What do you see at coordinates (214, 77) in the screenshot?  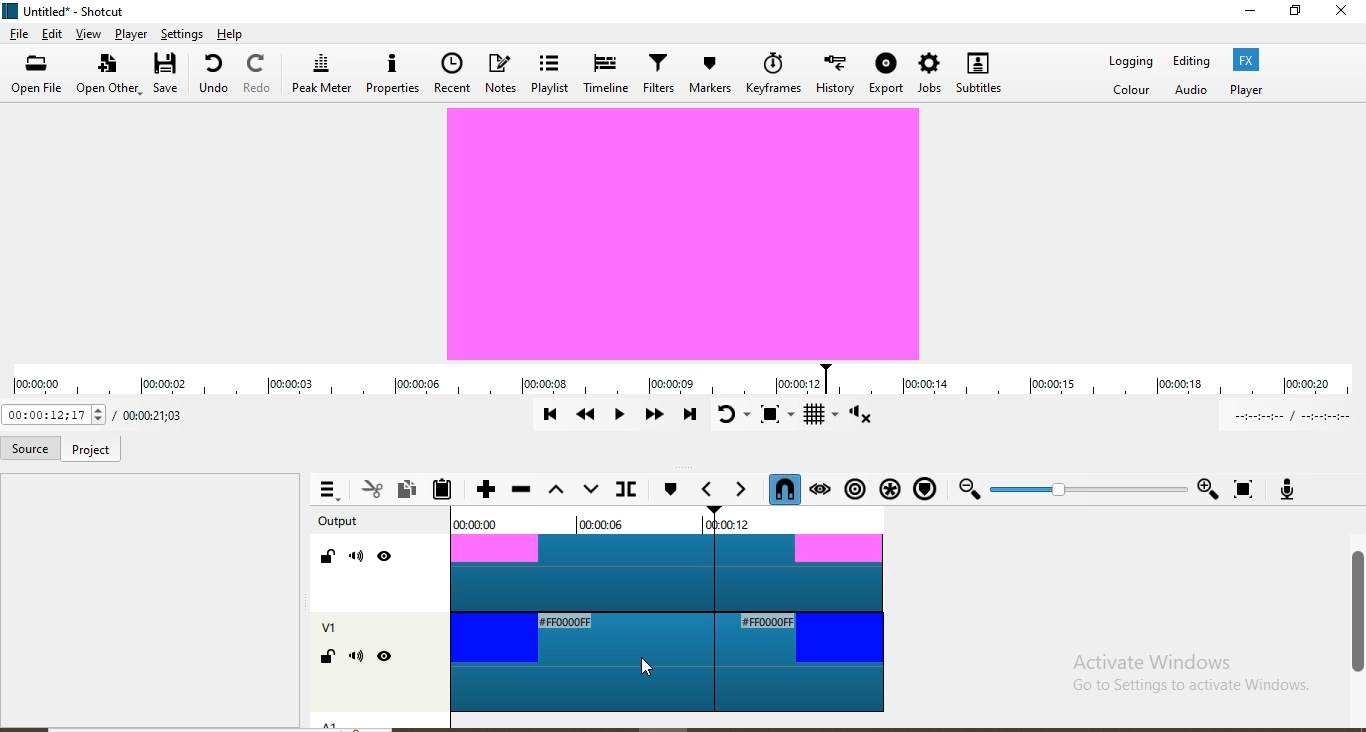 I see `undo` at bounding box center [214, 77].